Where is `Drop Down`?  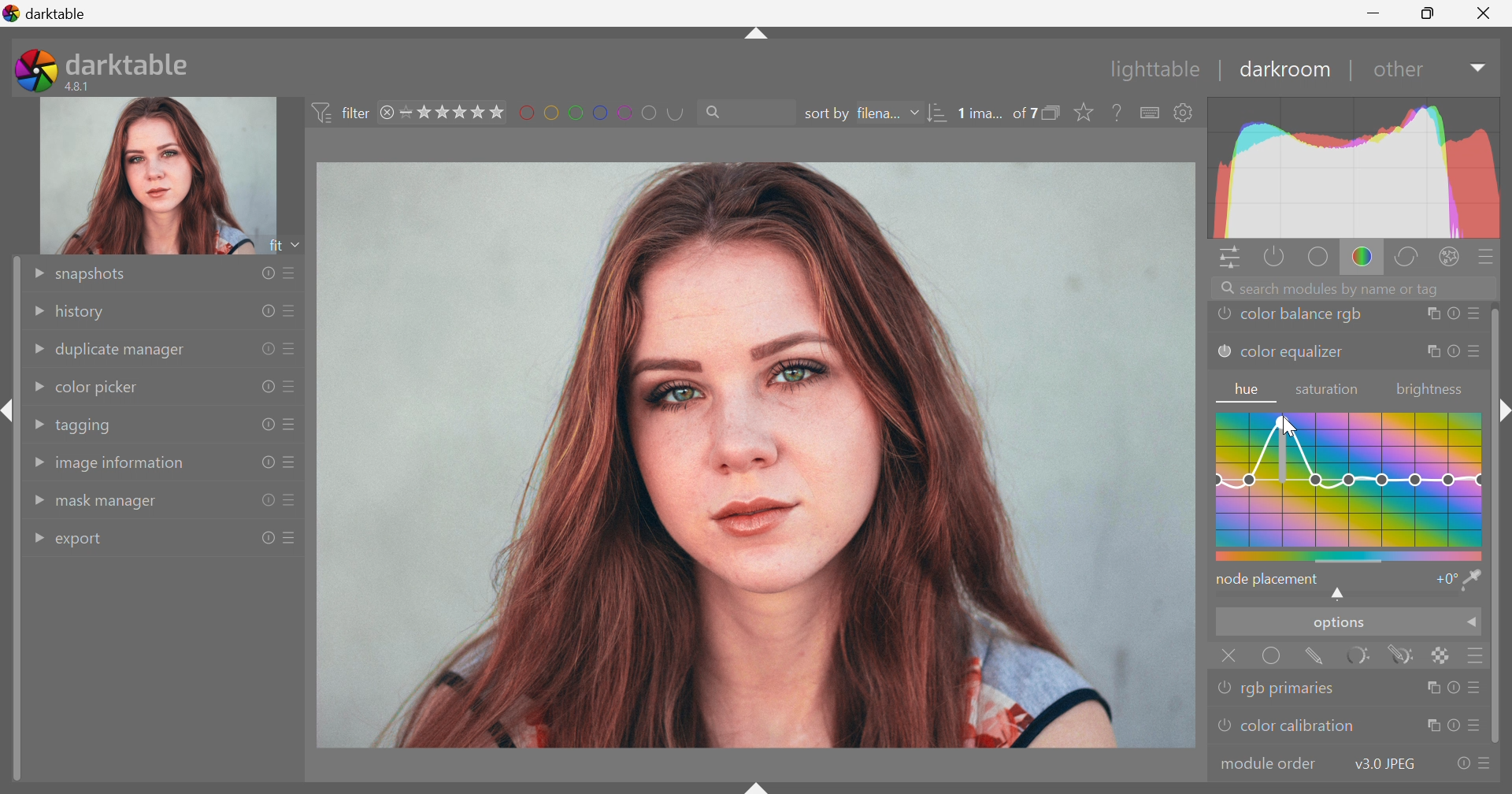 Drop Down is located at coordinates (1476, 69).